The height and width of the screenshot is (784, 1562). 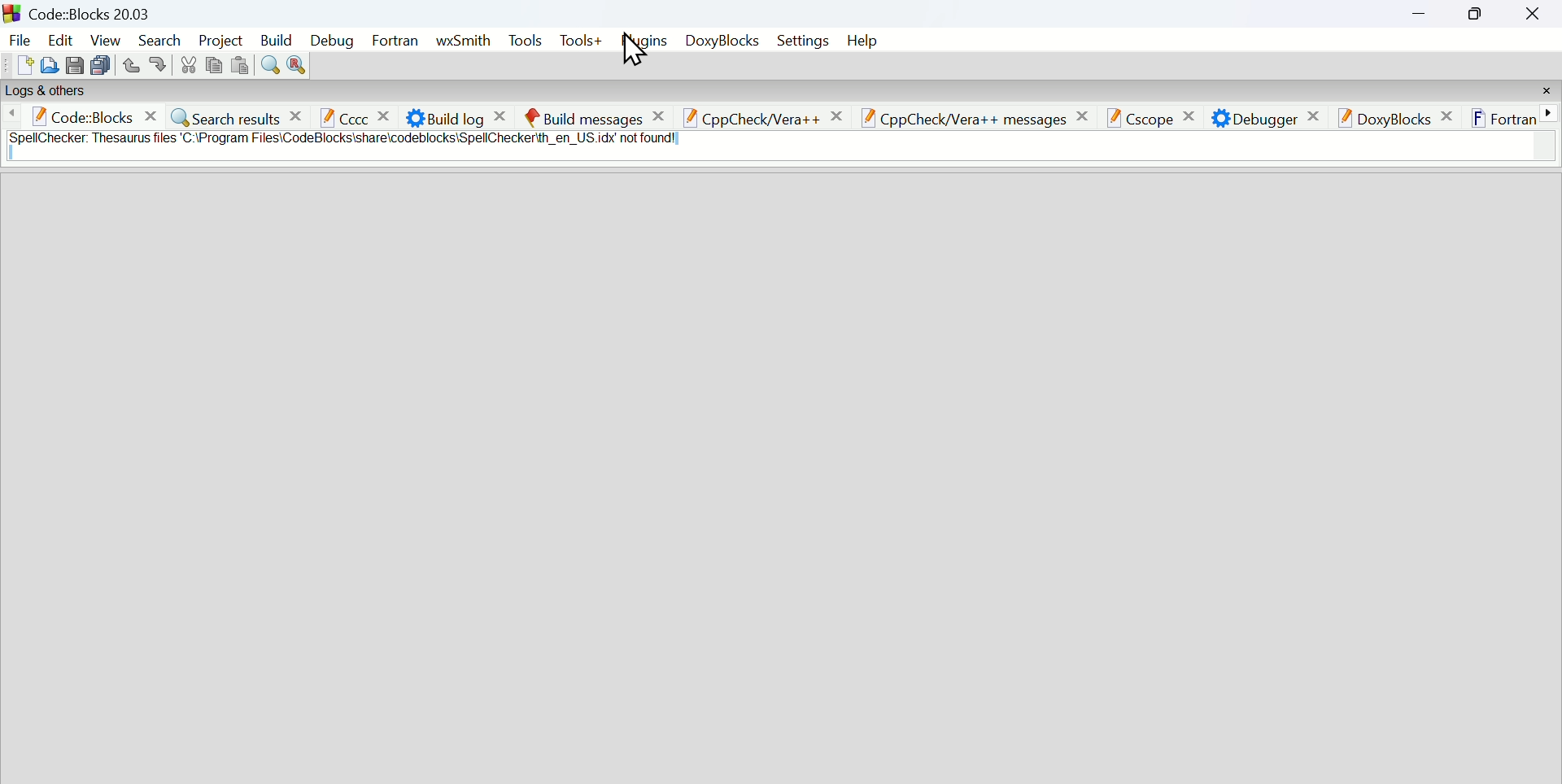 What do you see at coordinates (14, 116) in the screenshot?
I see `Move left` at bounding box center [14, 116].